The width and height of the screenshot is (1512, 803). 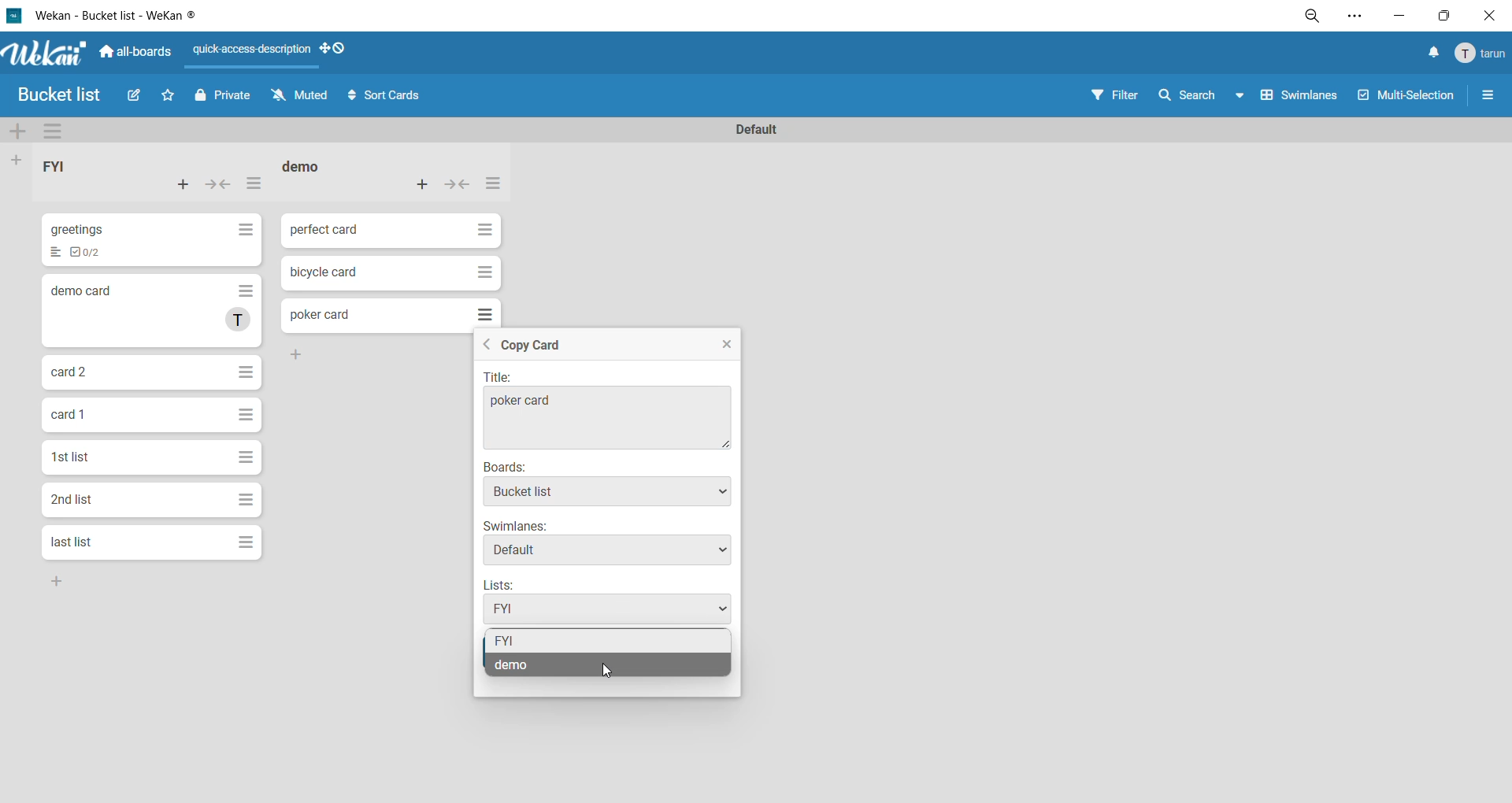 What do you see at coordinates (237, 320) in the screenshot?
I see `T` at bounding box center [237, 320].